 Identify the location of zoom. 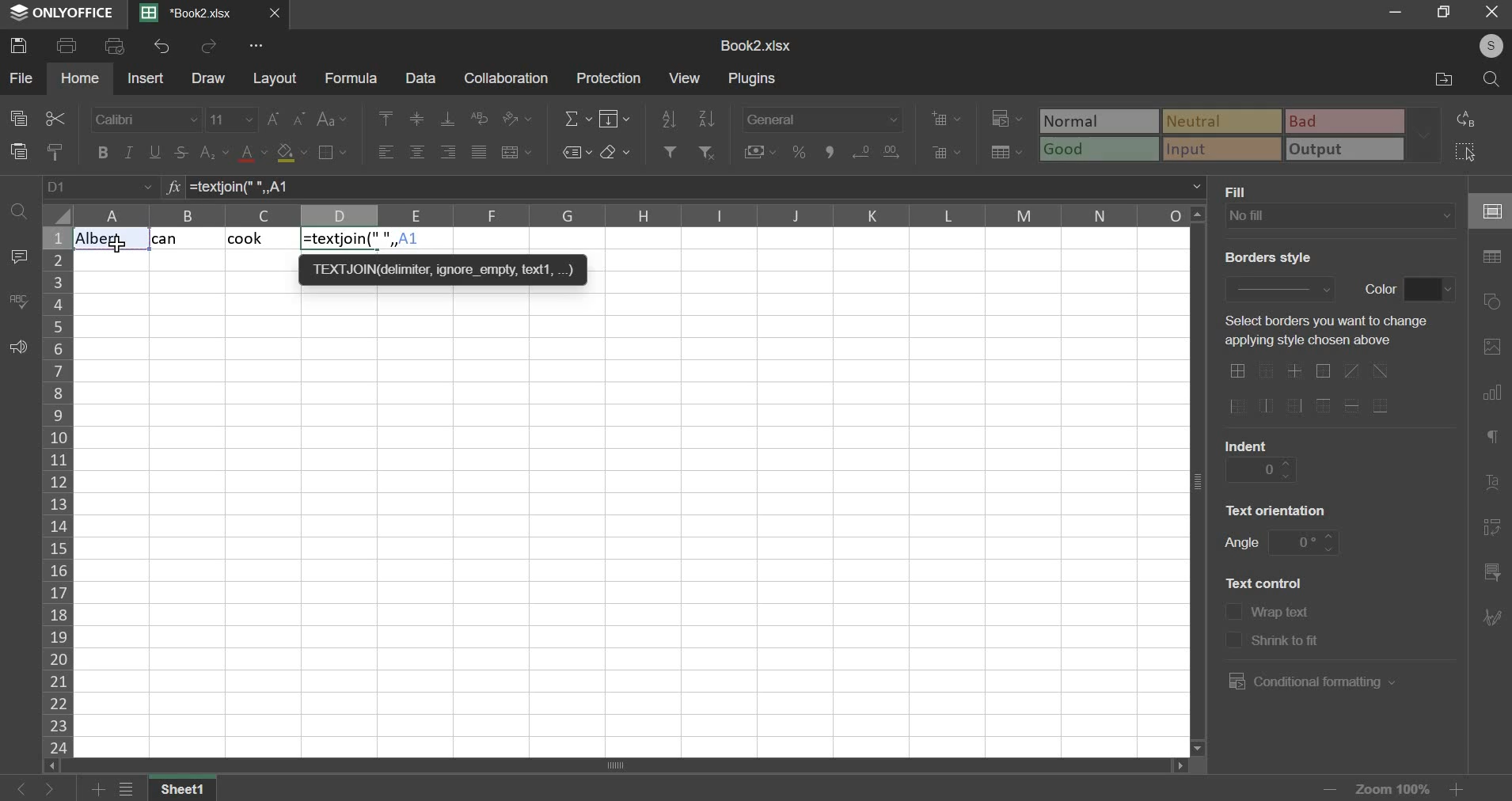
(1391, 787).